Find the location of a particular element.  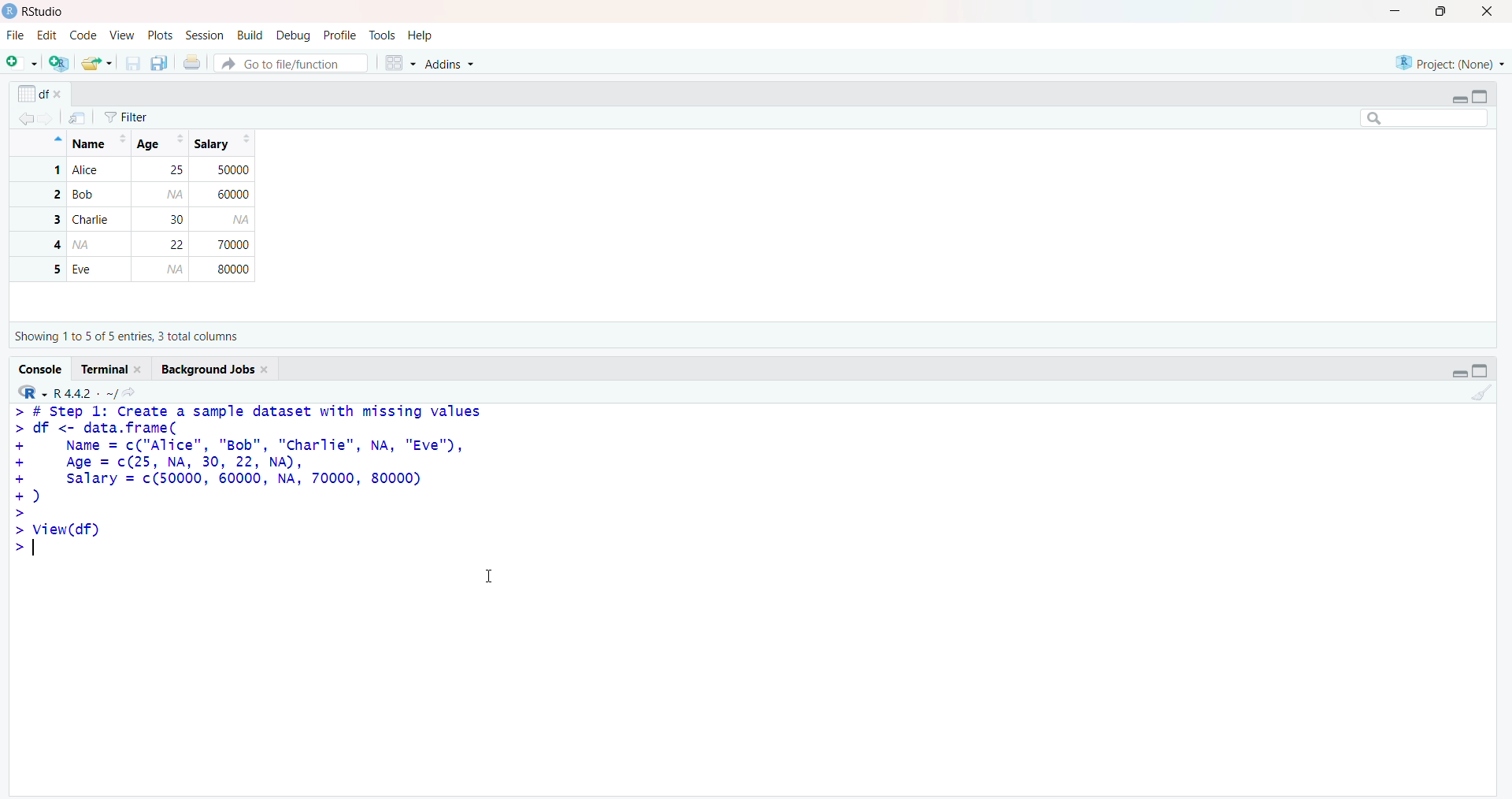

Text cursor is located at coordinates (493, 574).